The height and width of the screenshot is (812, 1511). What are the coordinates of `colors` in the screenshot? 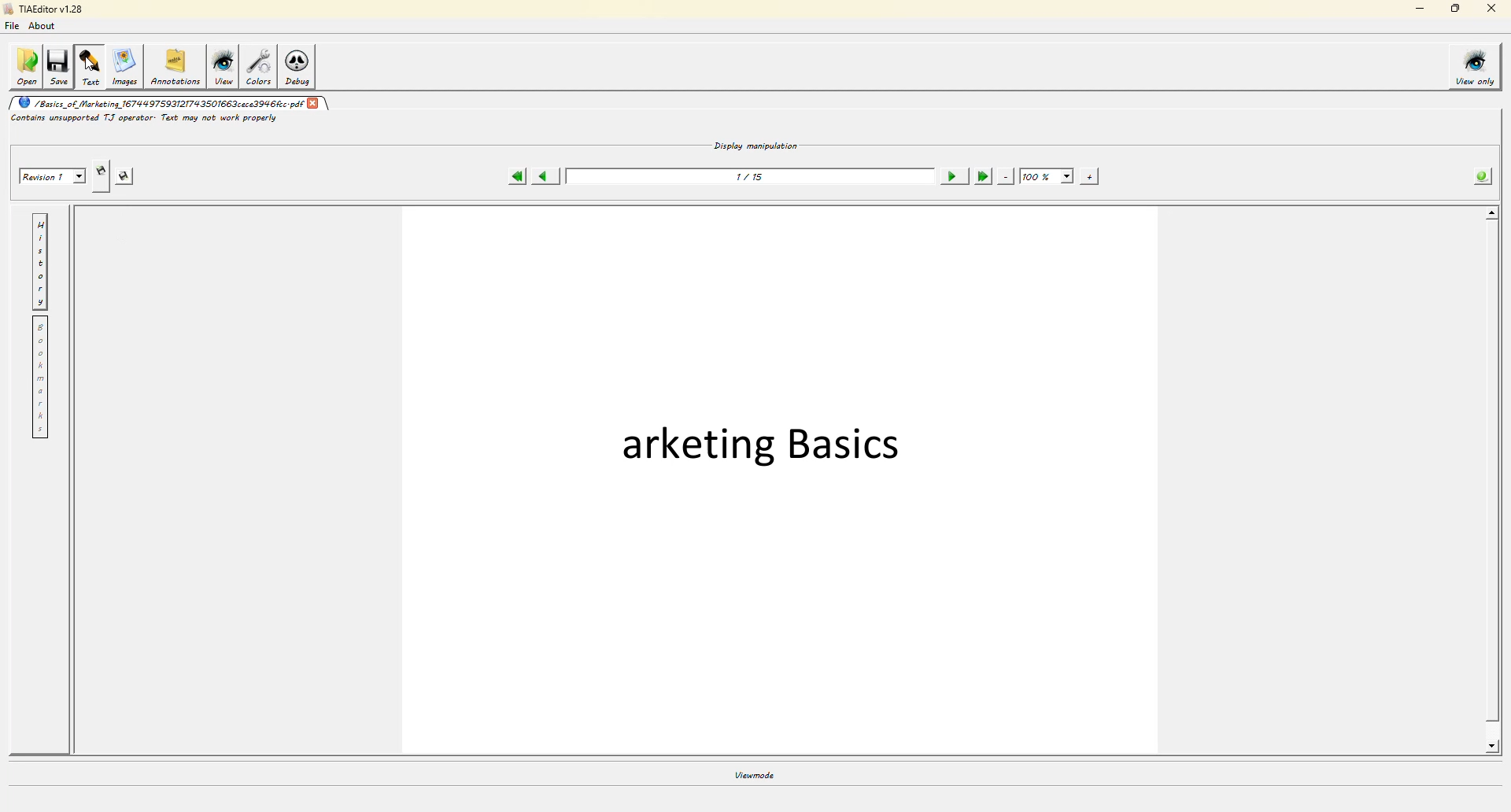 It's located at (260, 68).